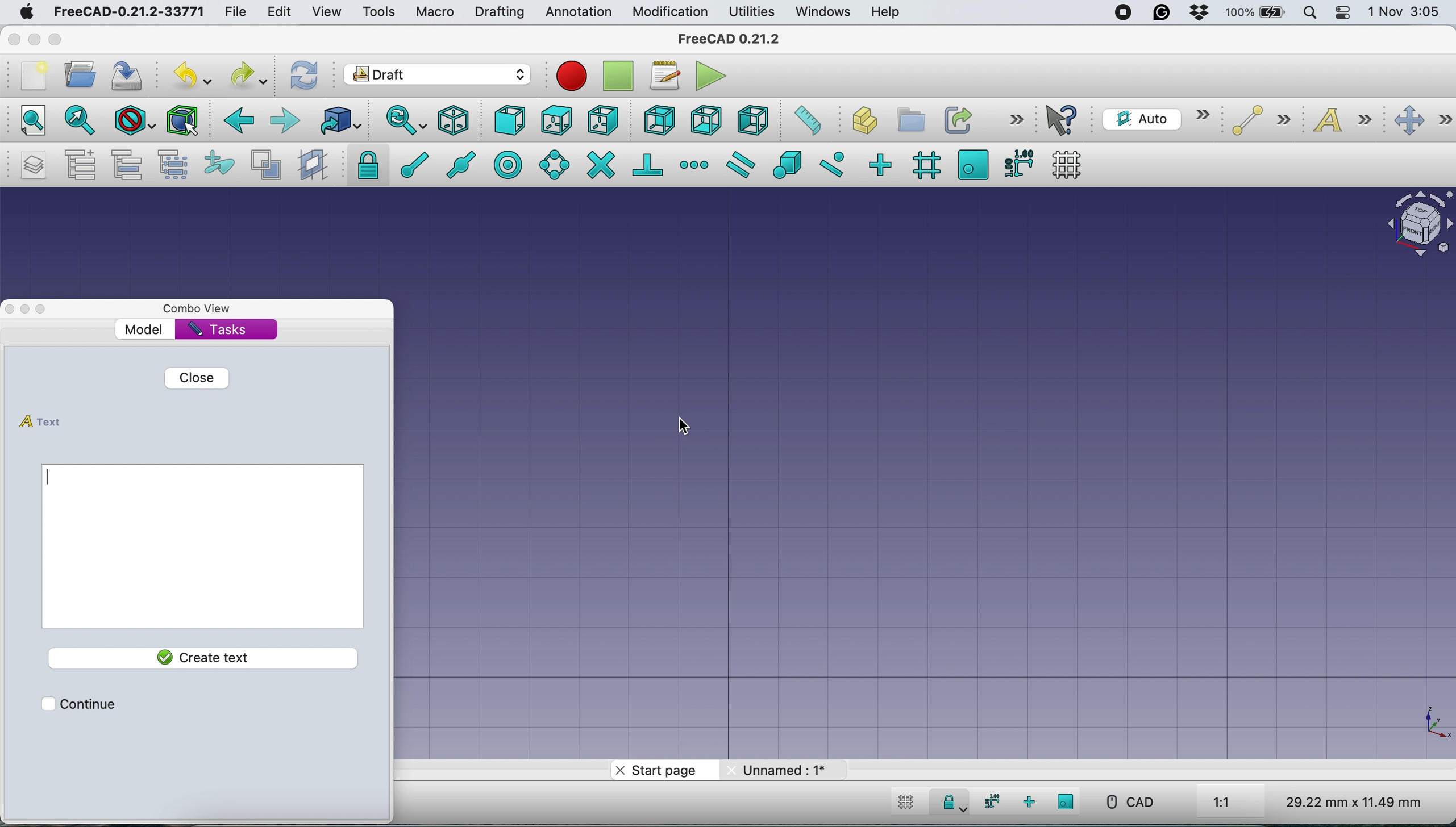  What do you see at coordinates (405, 120) in the screenshot?
I see `sync view` at bounding box center [405, 120].